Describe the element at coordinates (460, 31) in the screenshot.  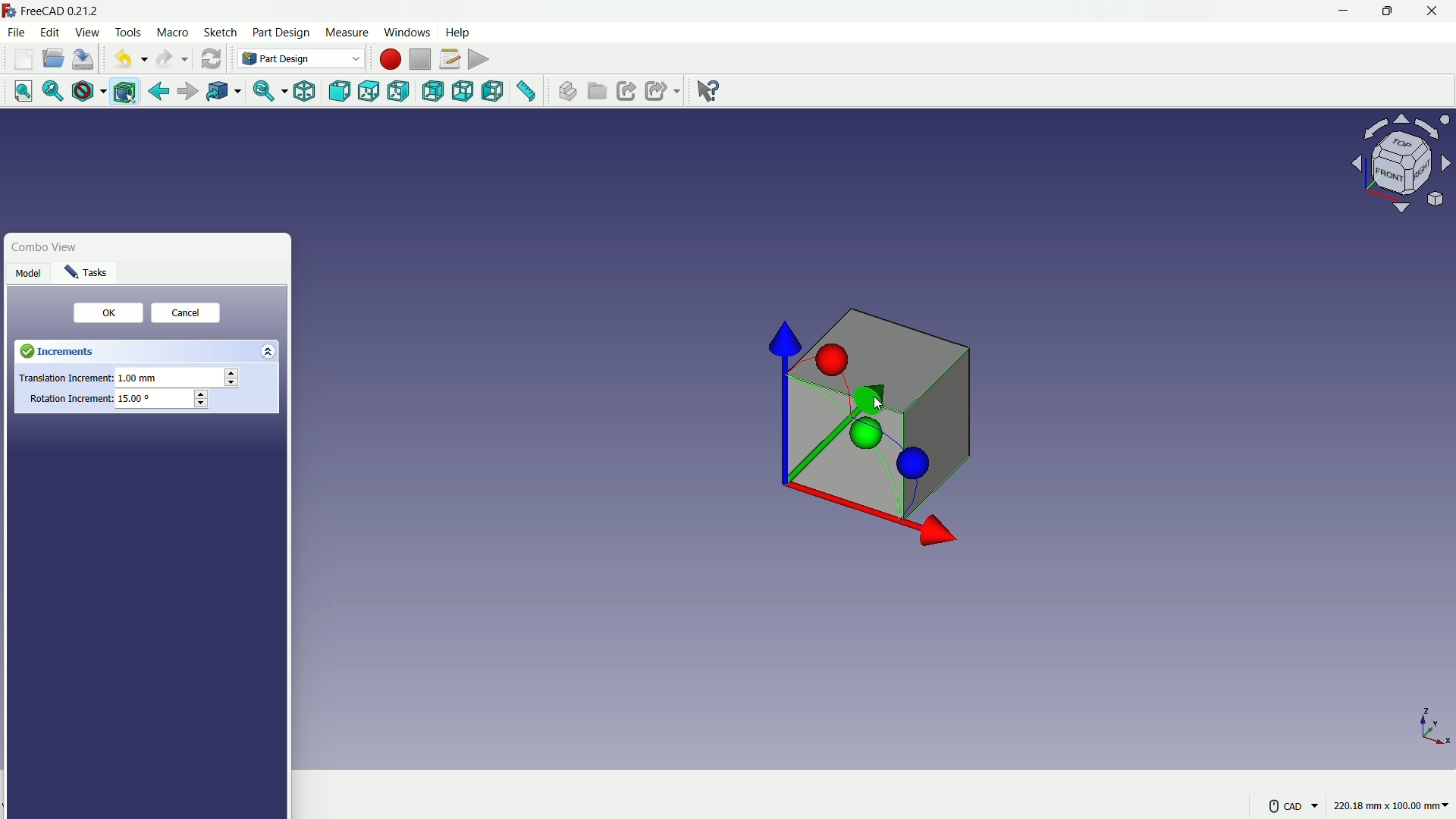
I see `help` at that location.